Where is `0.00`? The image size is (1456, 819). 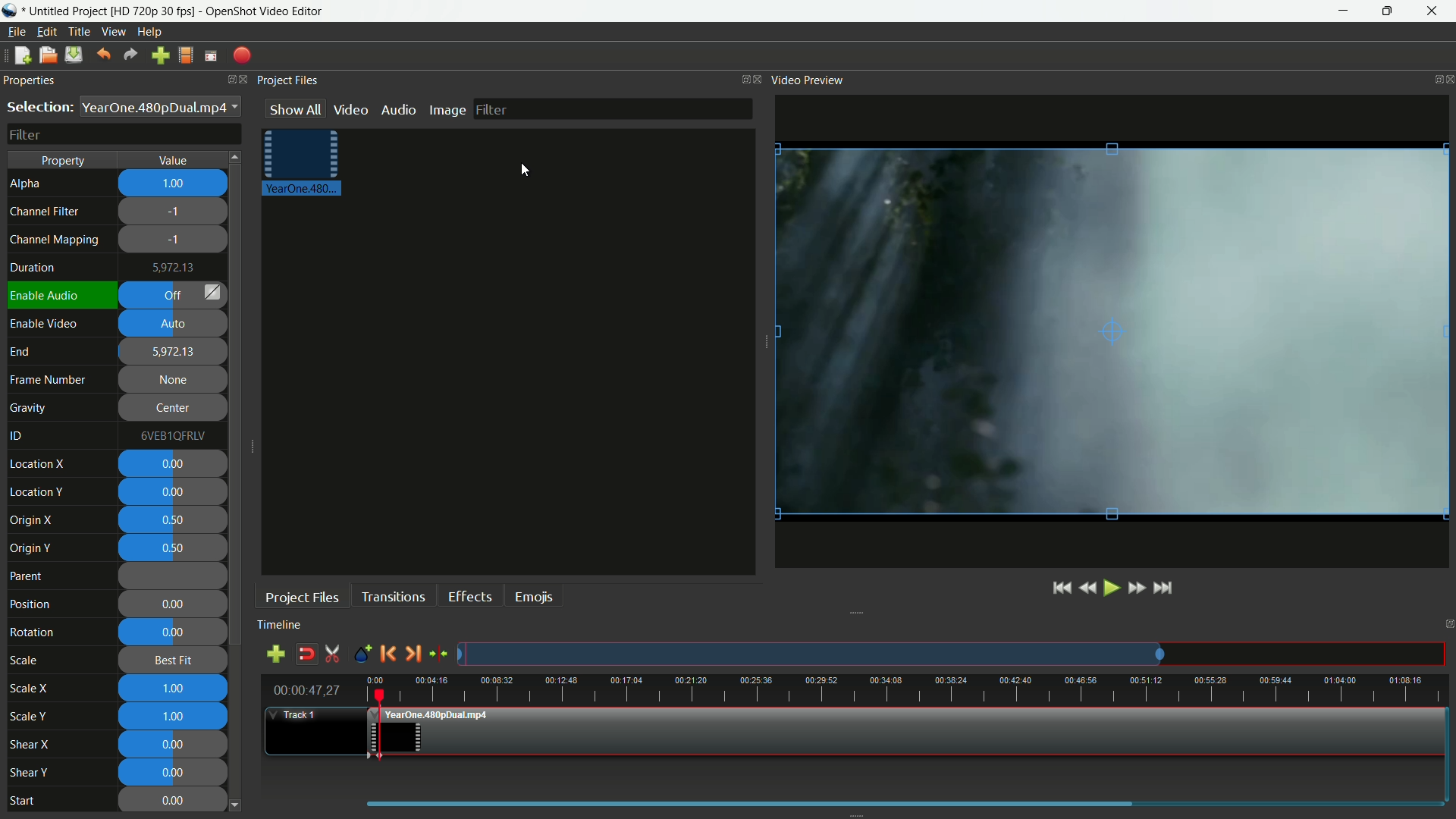
0.00 is located at coordinates (177, 744).